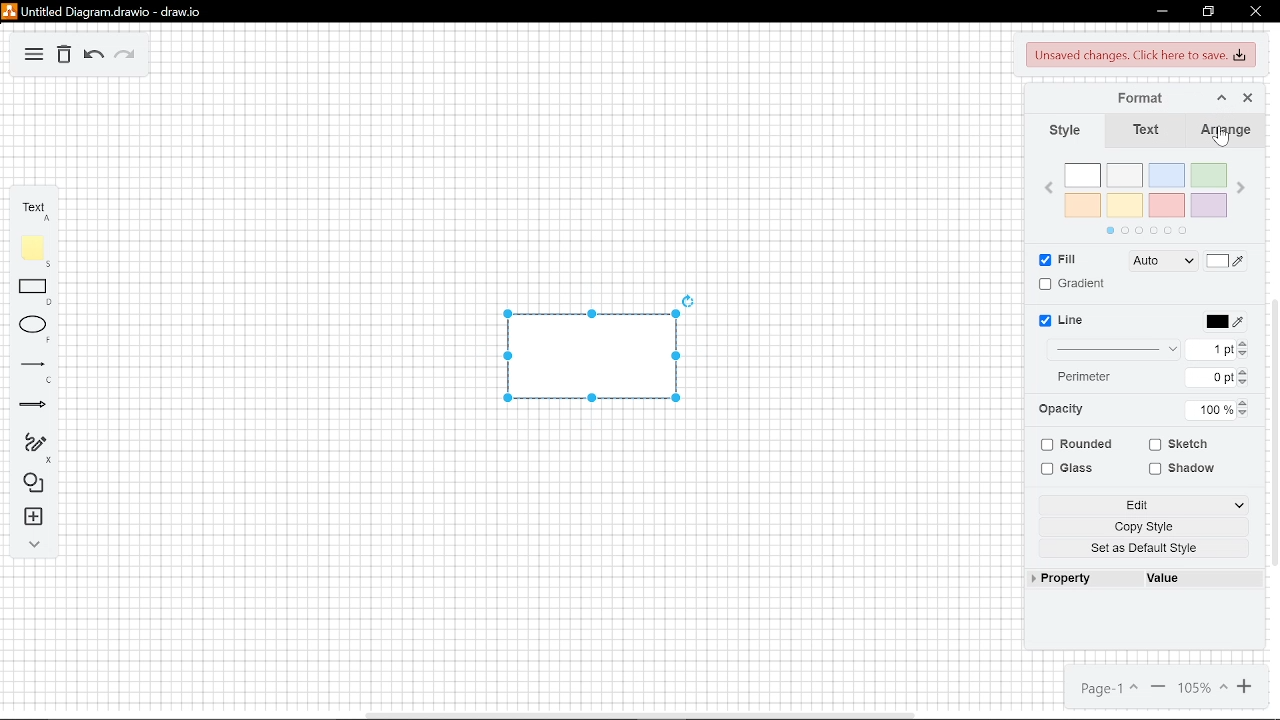 The image size is (1280, 720). What do you see at coordinates (1223, 261) in the screenshot?
I see `fill color` at bounding box center [1223, 261].